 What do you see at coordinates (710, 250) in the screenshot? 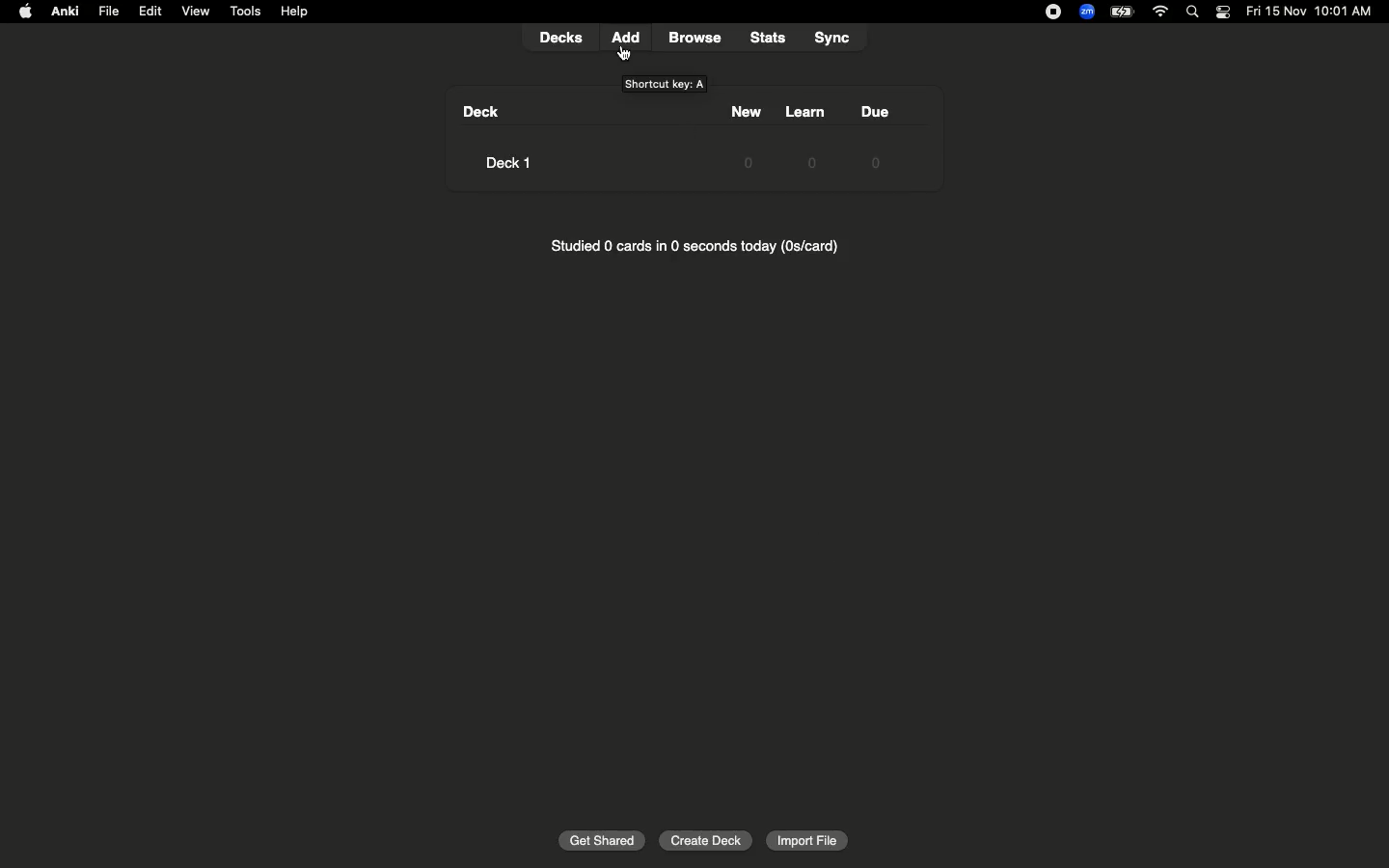
I see `Studied 0 cards in 0 seconds` at bounding box center [710, 250].